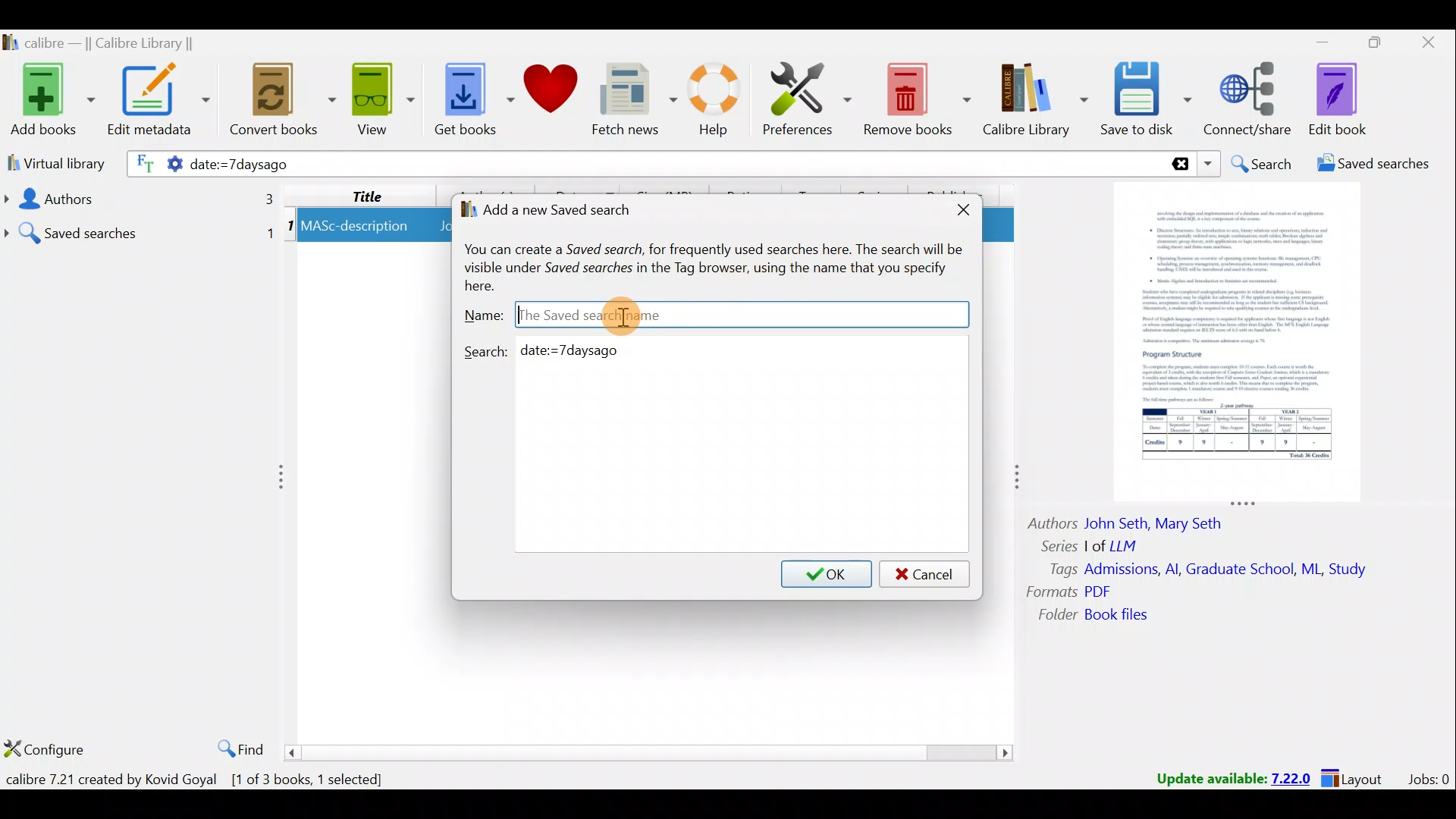 The height and width of the screenshot is (819, 1456). Describe the element at coordinates (729, 314) in the screenshot. I see `The Saved search name` at that location.